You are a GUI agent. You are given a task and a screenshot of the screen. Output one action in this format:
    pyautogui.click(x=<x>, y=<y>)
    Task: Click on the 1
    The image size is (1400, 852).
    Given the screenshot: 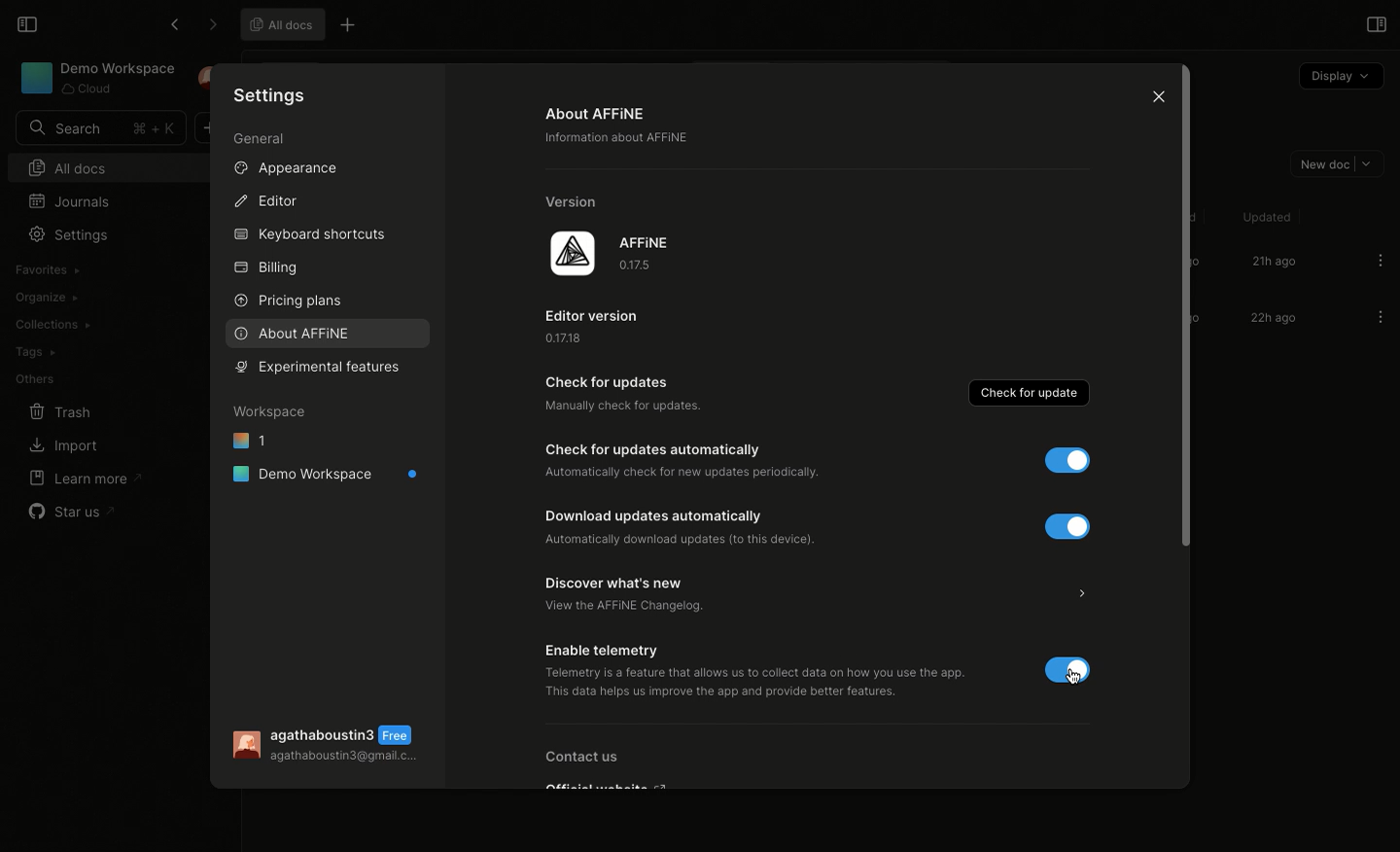 What is the action you would take?
    pyautogui.click(x=250, y=439)
    